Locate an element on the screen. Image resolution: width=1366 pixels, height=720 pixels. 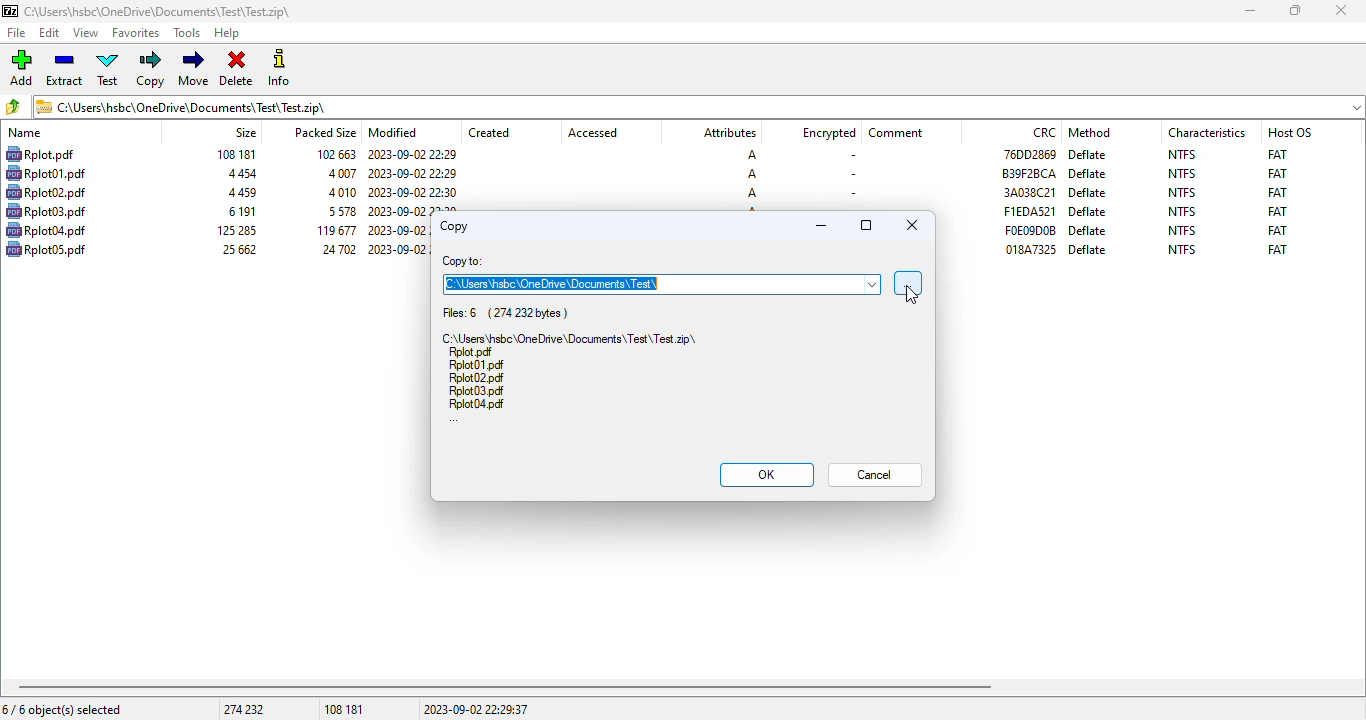
copy is located at coordinates (152, 69).